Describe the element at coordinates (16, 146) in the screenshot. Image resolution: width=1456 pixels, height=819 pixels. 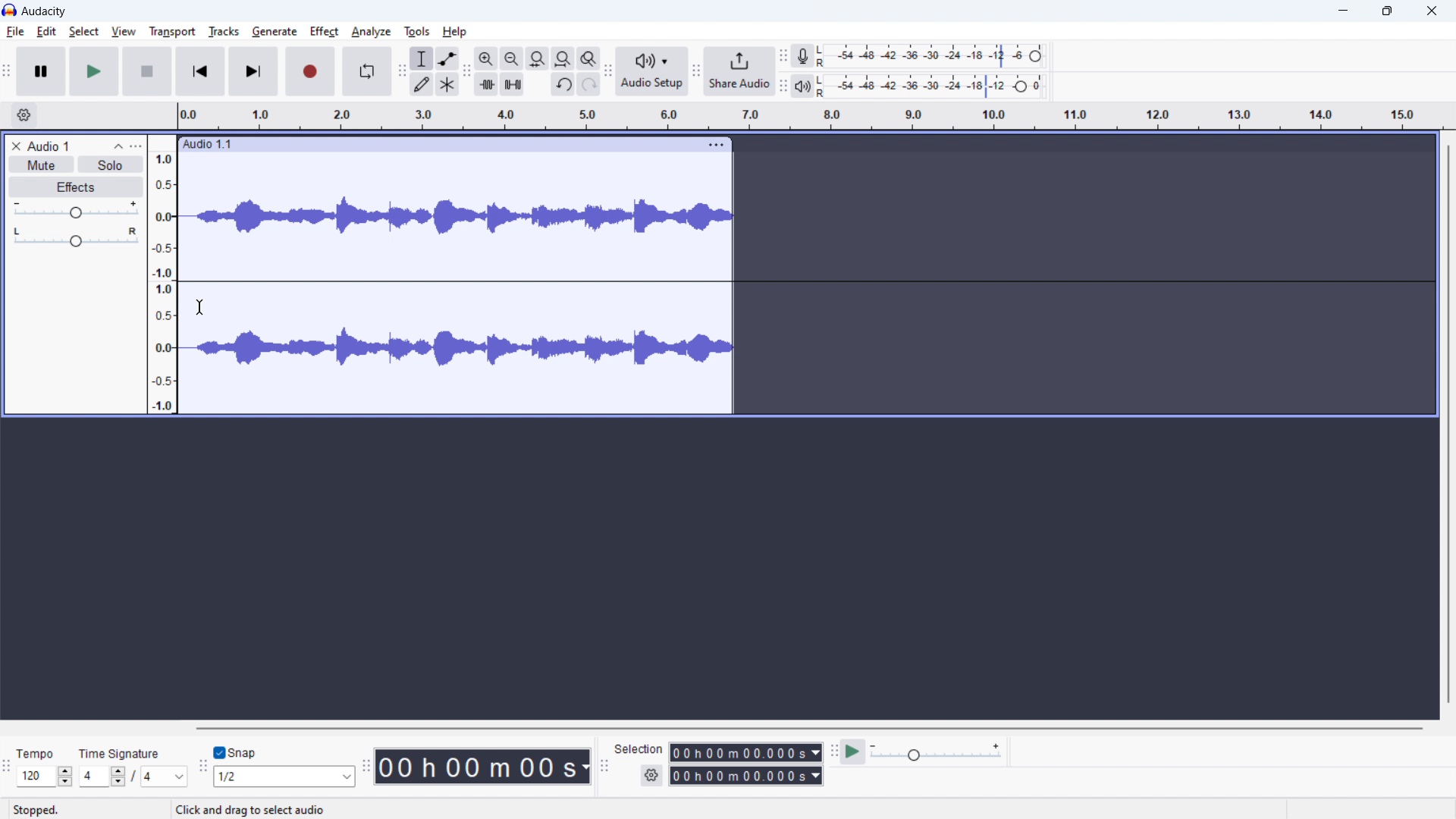
I see `remove track` at that location.